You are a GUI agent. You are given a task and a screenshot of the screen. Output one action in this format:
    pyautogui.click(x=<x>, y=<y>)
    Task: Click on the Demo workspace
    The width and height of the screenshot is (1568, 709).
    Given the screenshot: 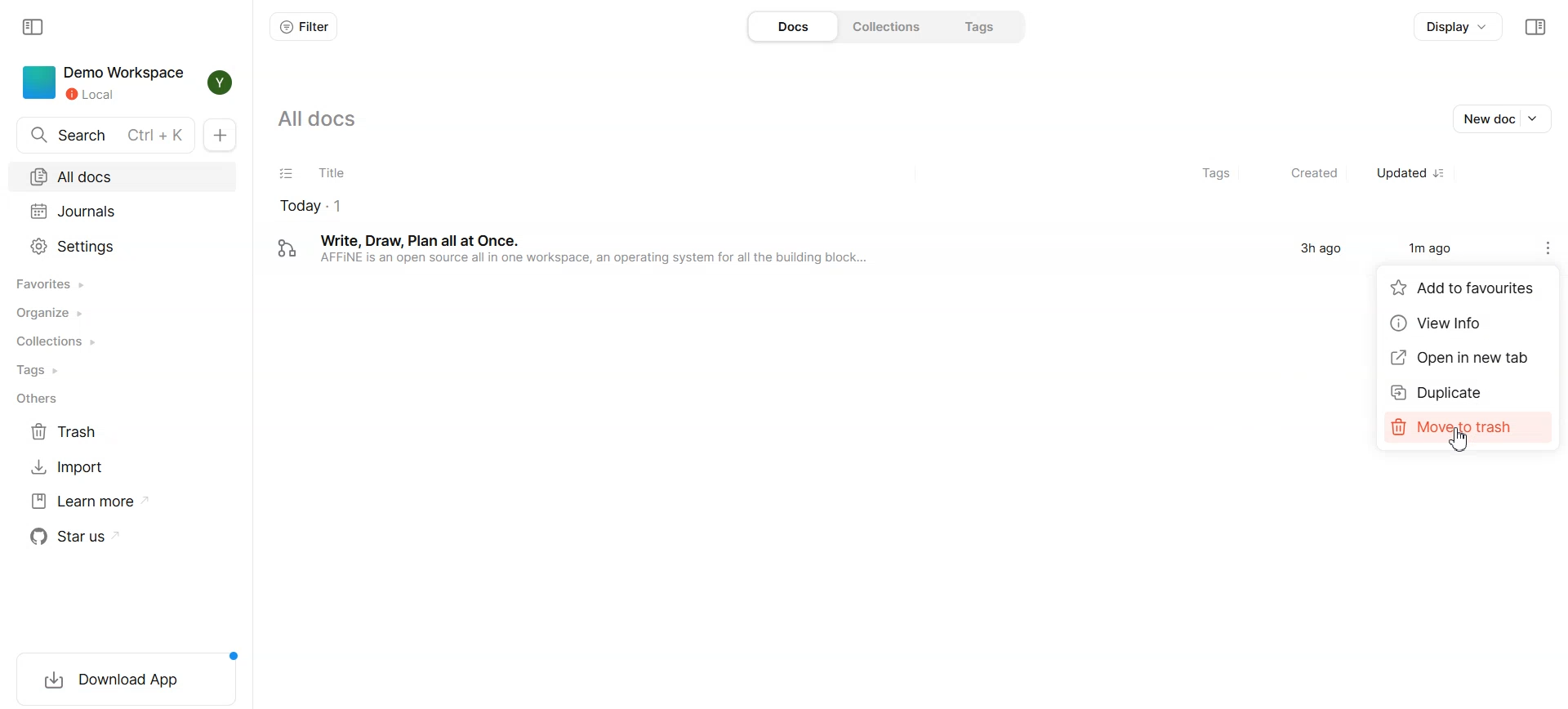 What is the action you would take?
    pyautogui.click(x=104, y=83)
    